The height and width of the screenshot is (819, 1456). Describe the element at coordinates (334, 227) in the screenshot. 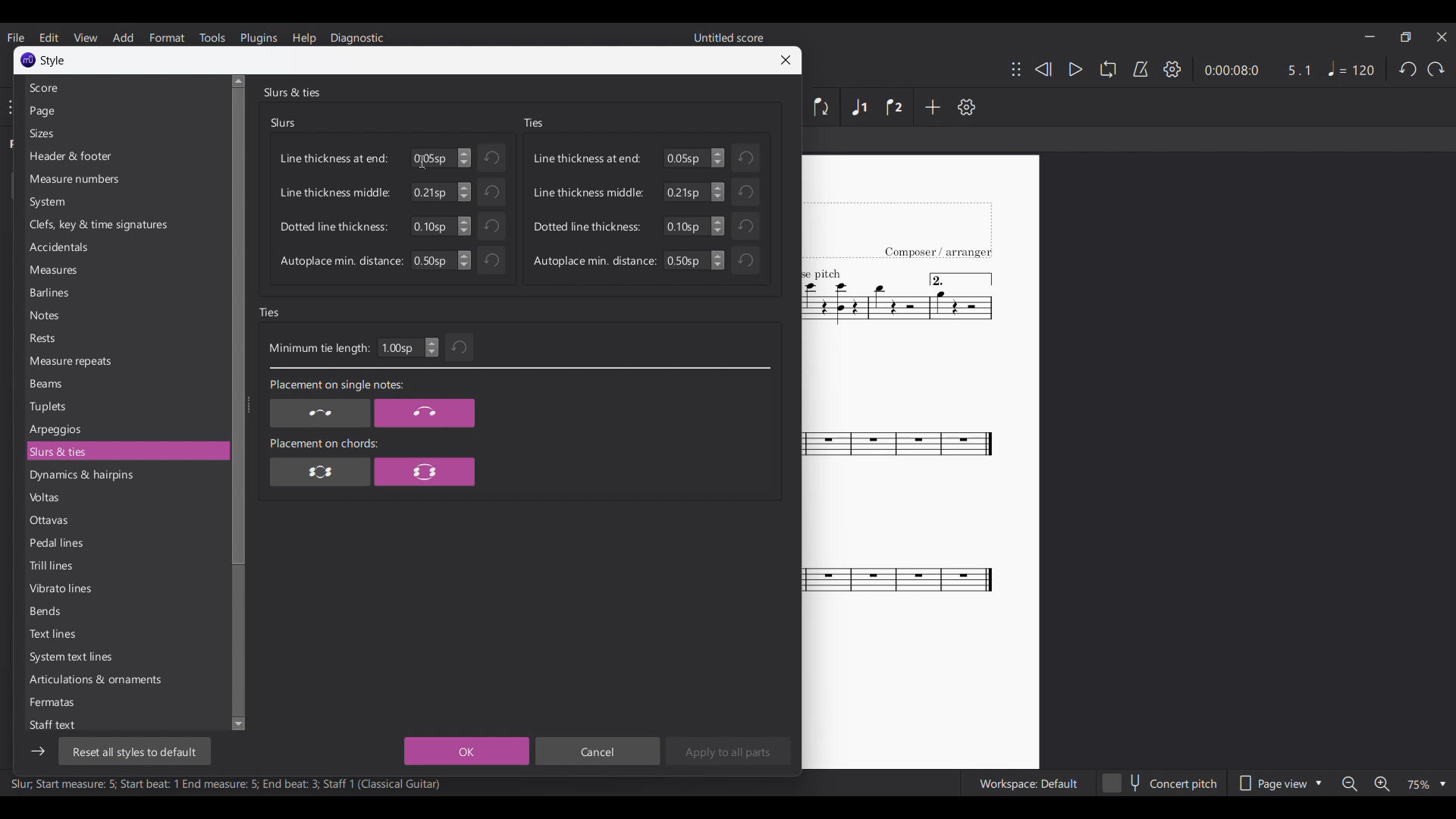

I see `Dotted line thickness` at that location.